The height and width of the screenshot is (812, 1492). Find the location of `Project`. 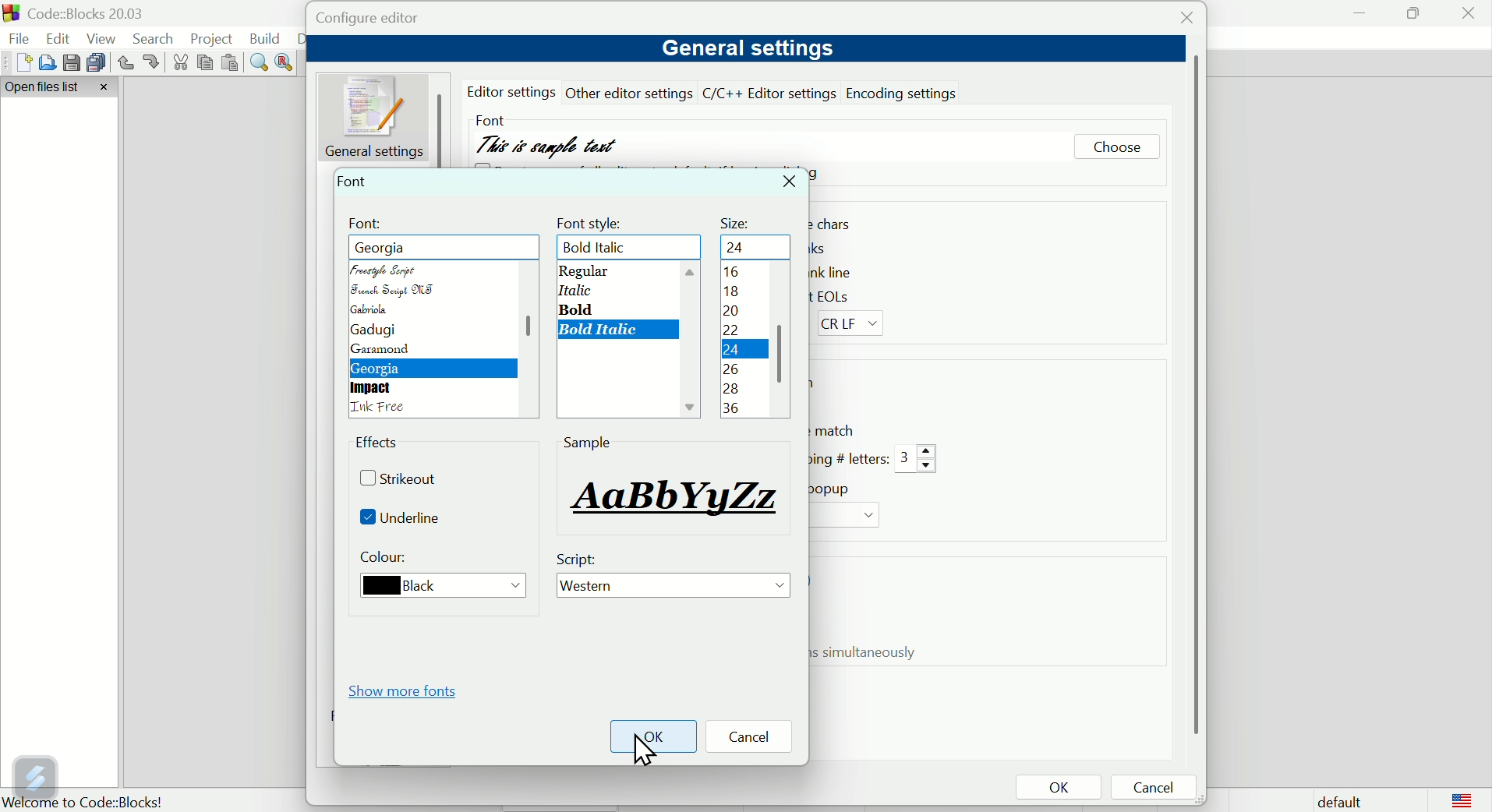

Project is located at coordinates (214, 38).